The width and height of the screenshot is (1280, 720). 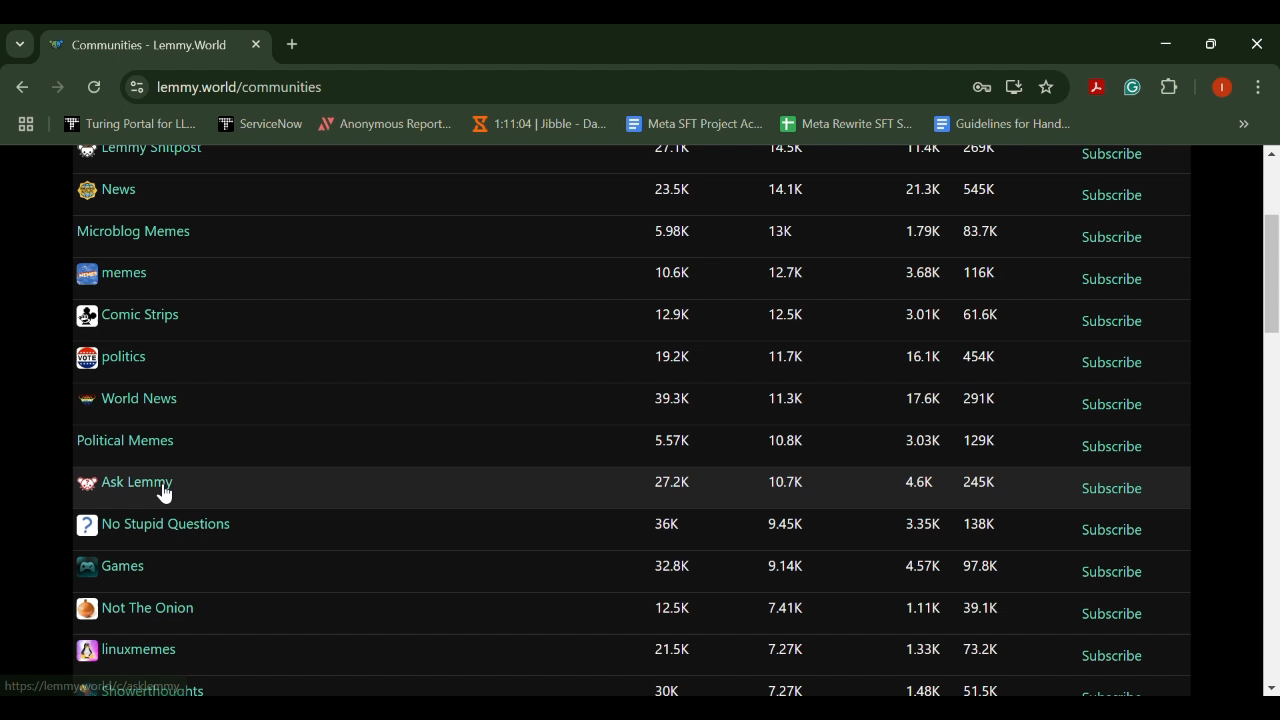 What do you see at coordinates (1222, 89) in the screenshot?
I see `Browser Profile ` at bounding box center [1222, 89].